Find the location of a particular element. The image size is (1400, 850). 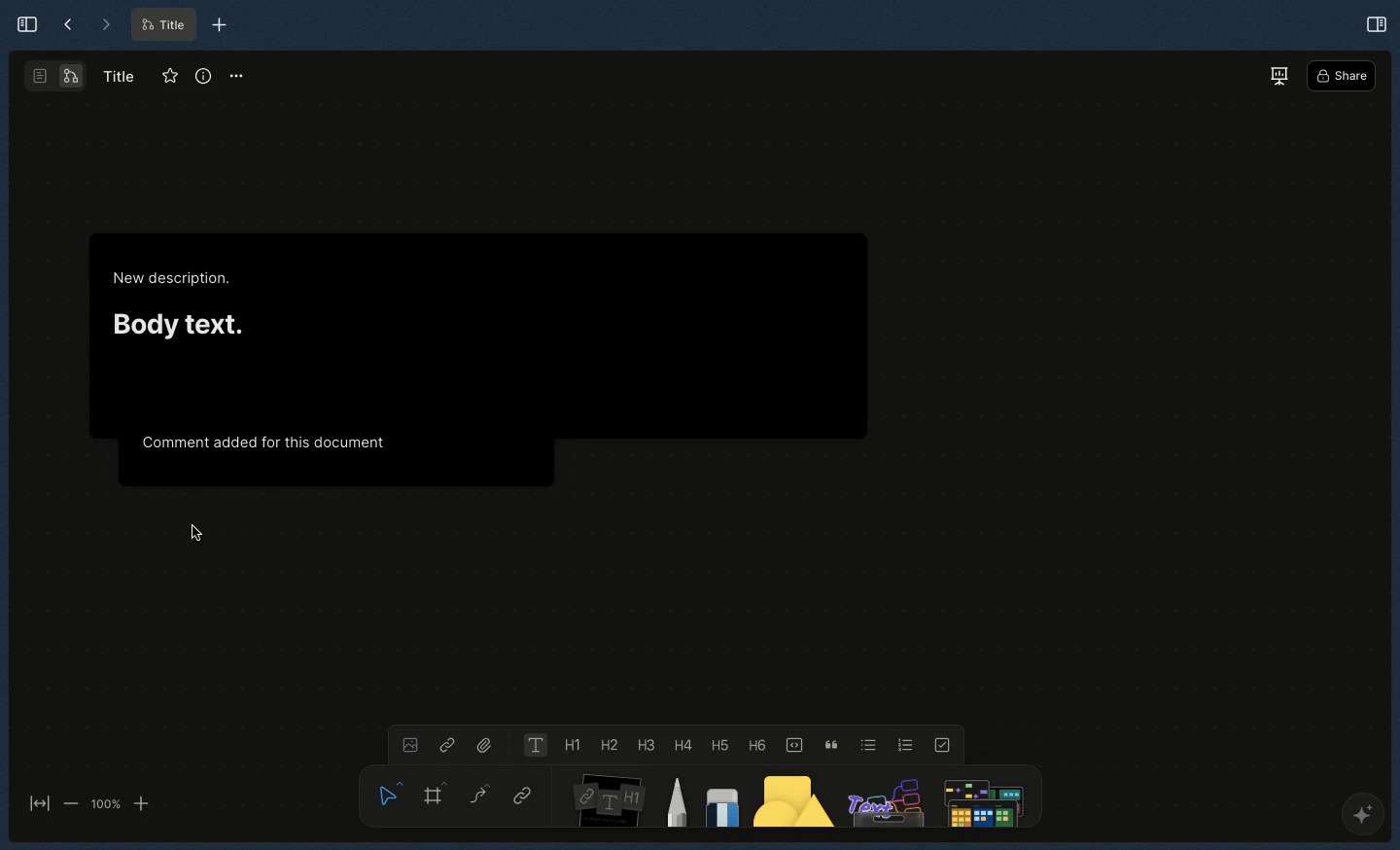

Title is located at coordinates (161, 25).